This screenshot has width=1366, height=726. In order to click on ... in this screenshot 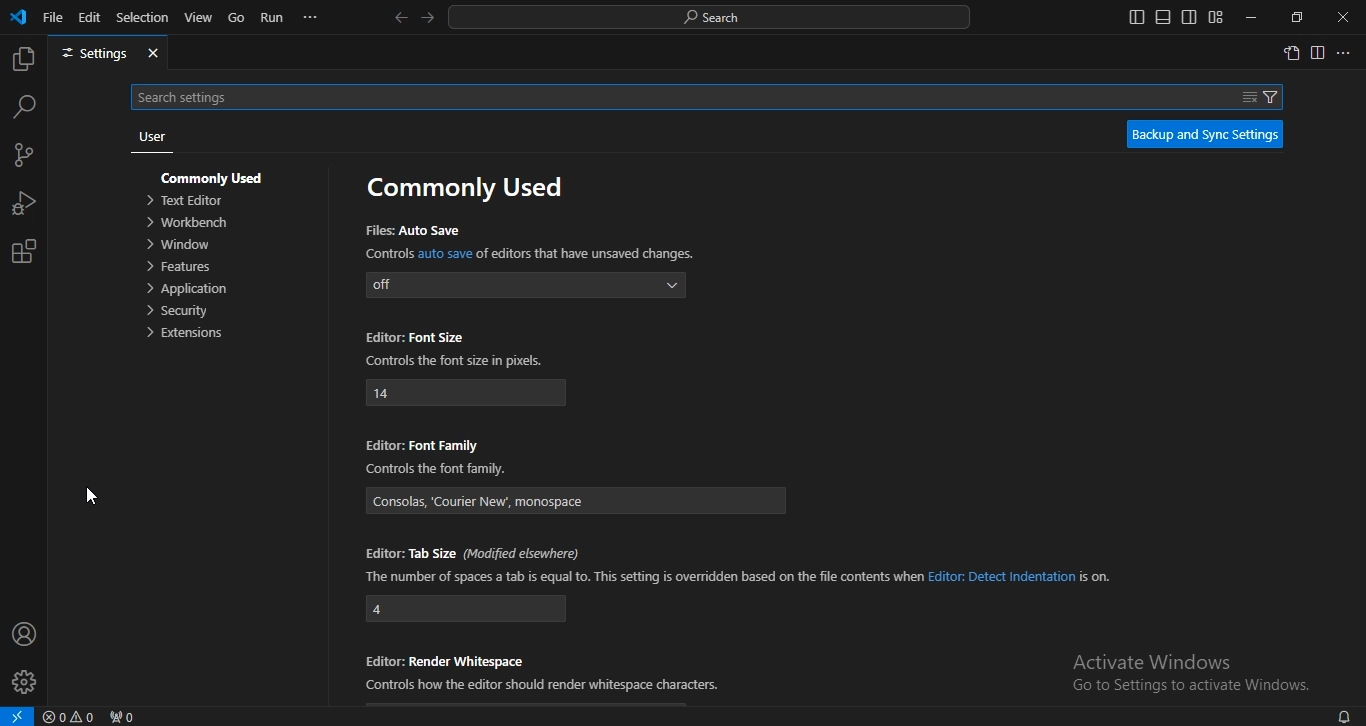, I will do `click(311, 17)`.